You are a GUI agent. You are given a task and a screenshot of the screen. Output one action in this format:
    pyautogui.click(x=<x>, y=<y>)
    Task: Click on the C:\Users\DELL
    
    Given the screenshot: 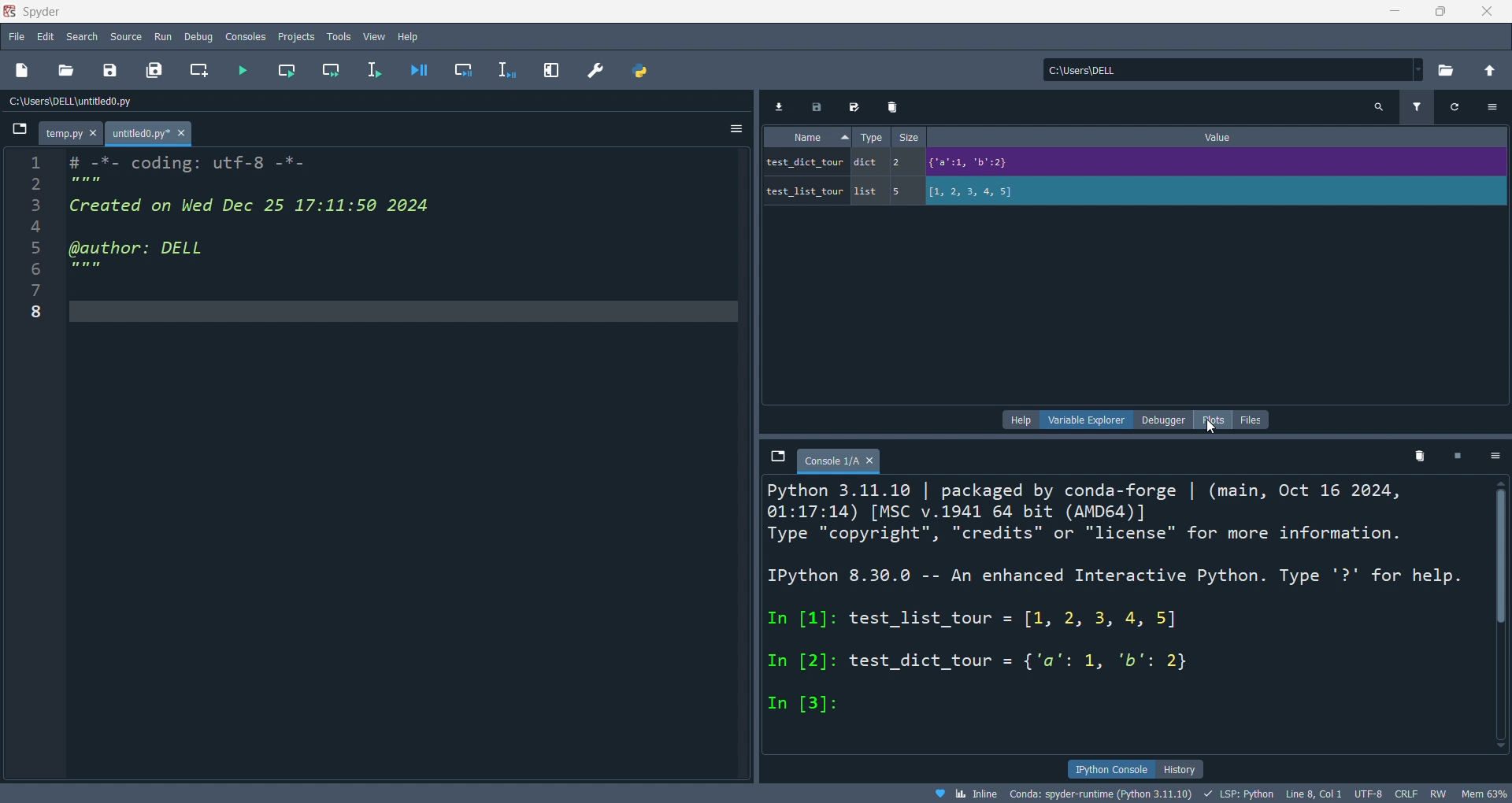 What is the action you would take?
    pyautogui.click(x=1226, y=69)
    